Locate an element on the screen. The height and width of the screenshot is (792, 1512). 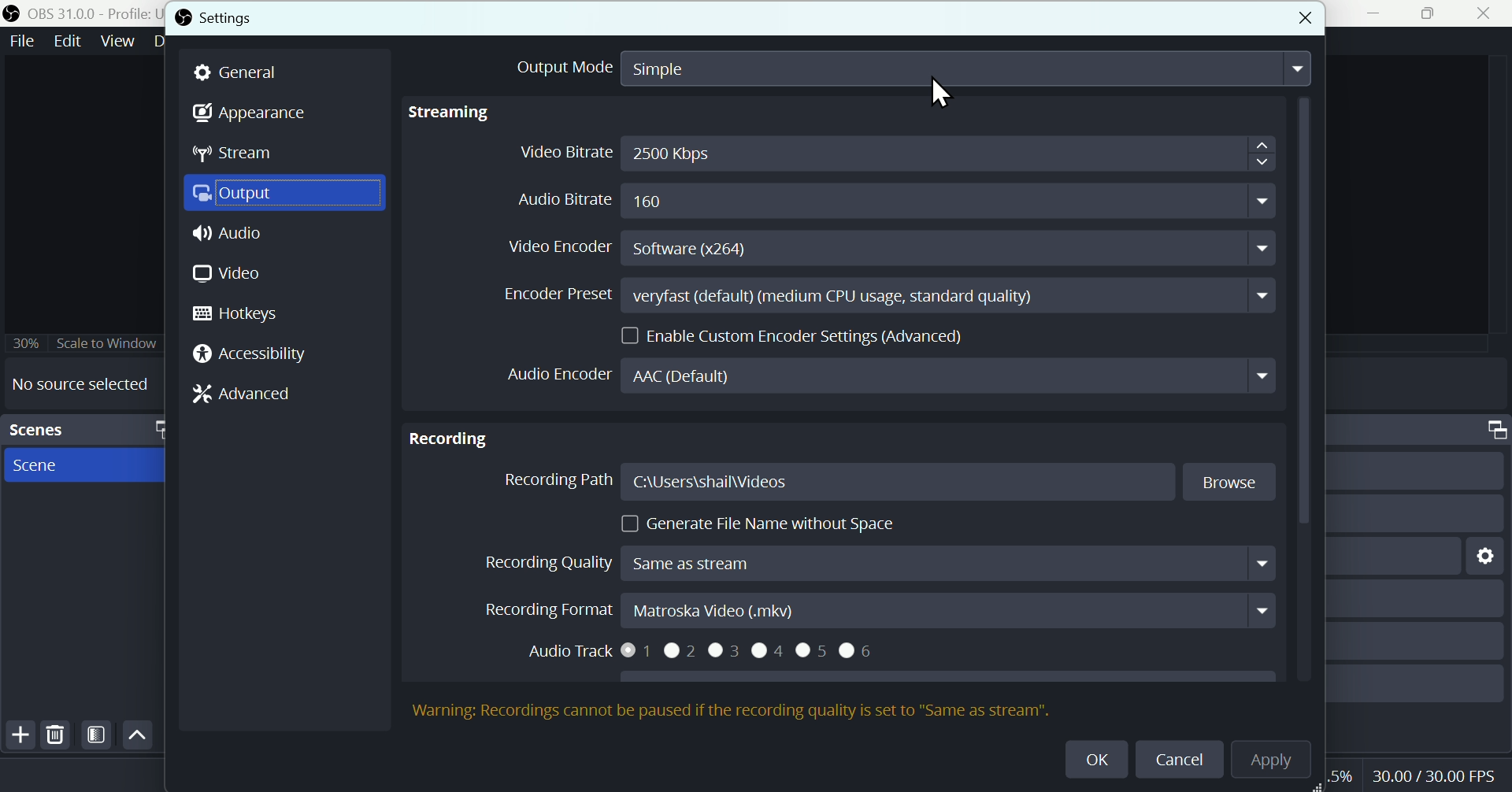
Recording is located at coordinates (452, 439).